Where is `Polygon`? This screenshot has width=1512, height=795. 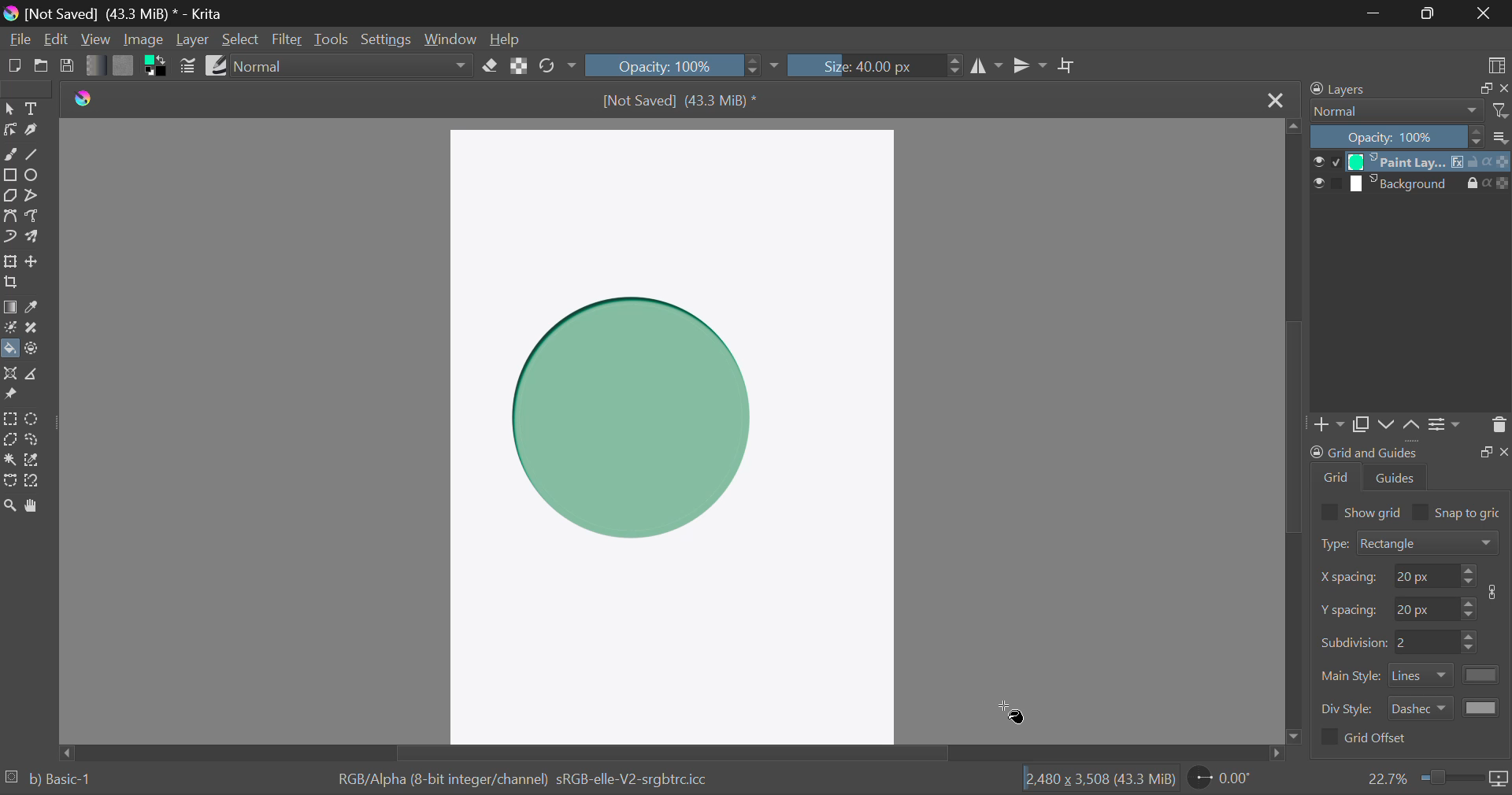 Polygon is located at coordinates (9, 194).